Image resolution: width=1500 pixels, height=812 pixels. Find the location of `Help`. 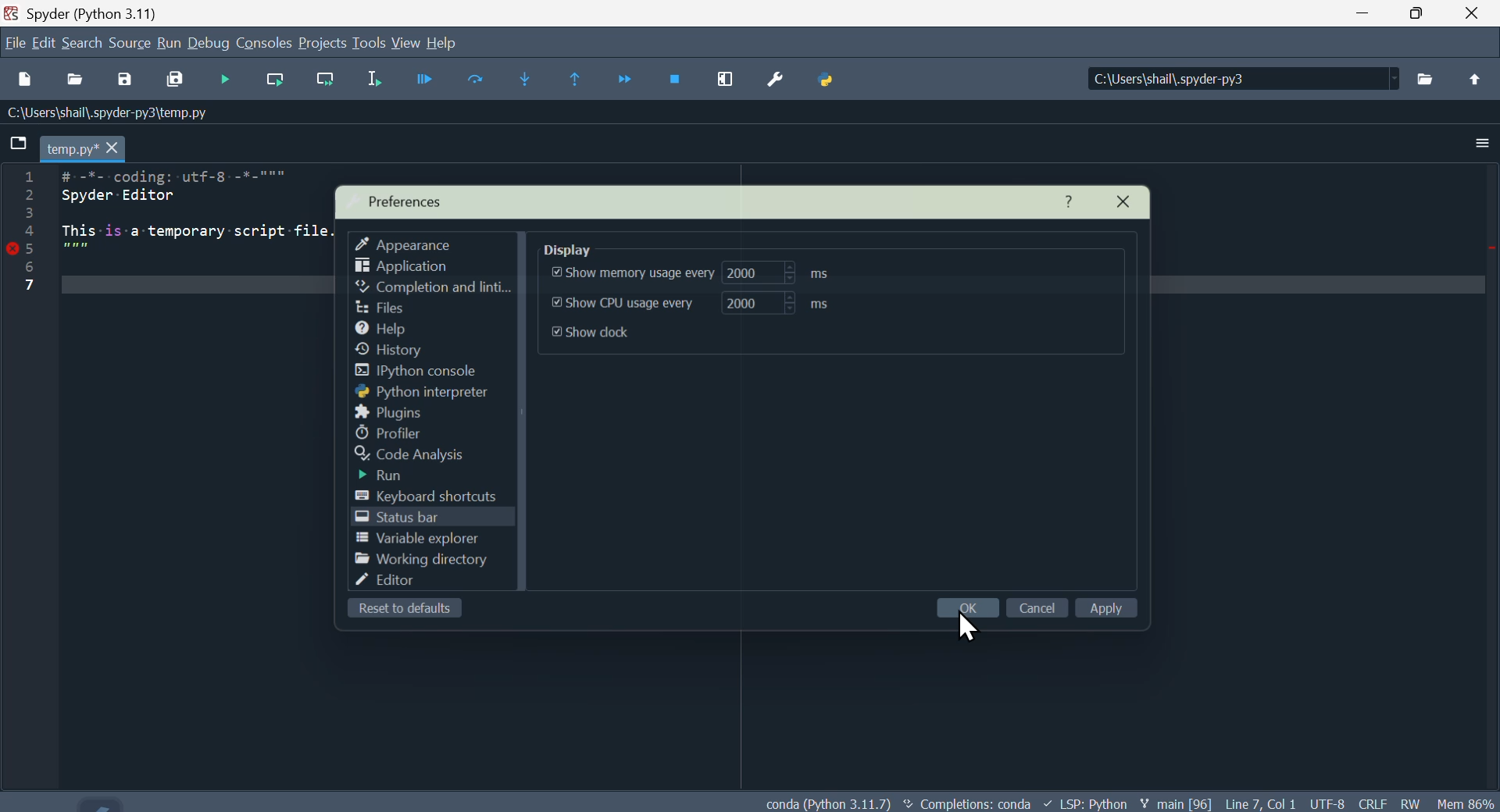

Help is located at coordinates (454, 41).